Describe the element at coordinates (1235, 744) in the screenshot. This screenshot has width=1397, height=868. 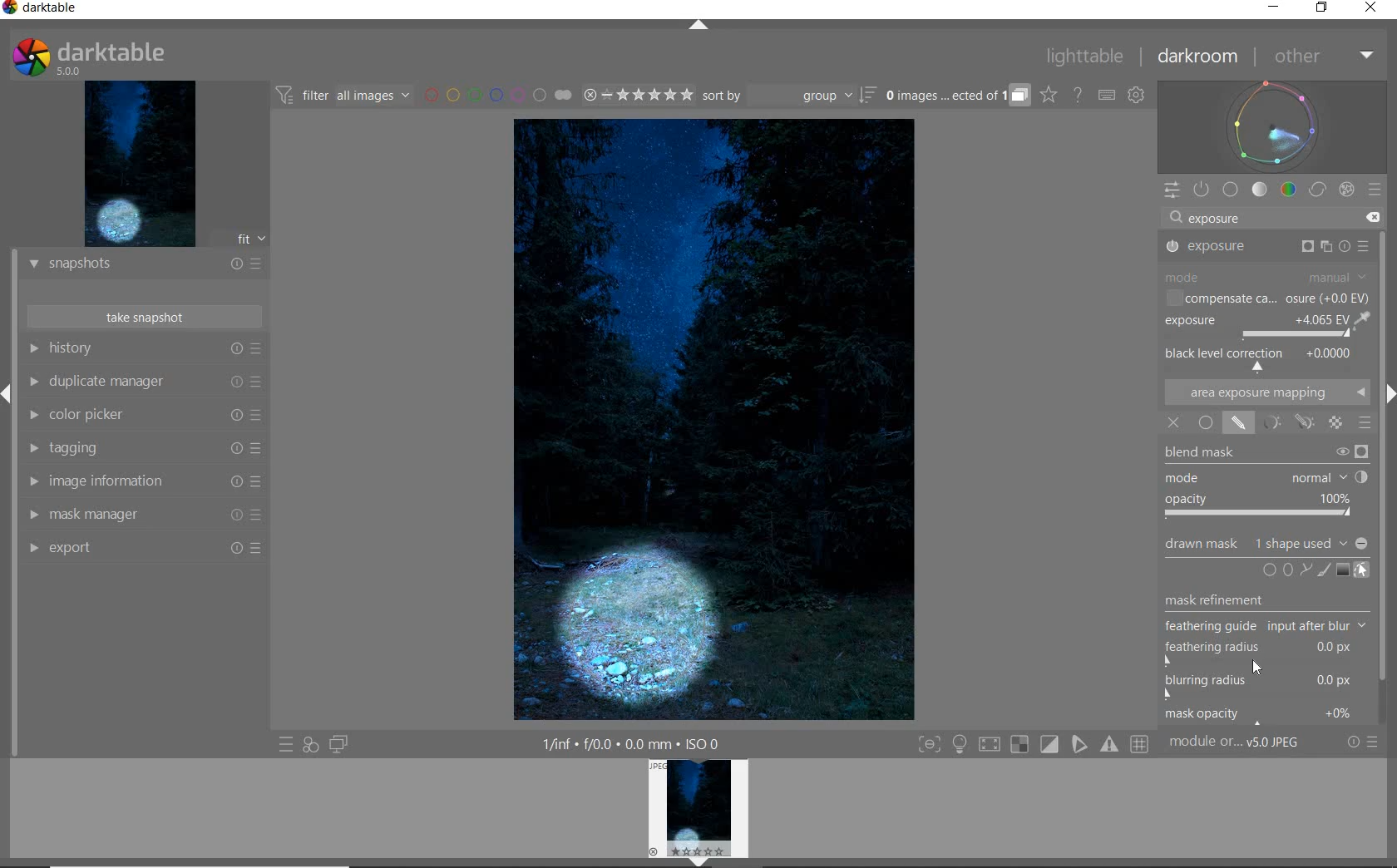
I see `MODULE...v5.0 JPEG` at that location.